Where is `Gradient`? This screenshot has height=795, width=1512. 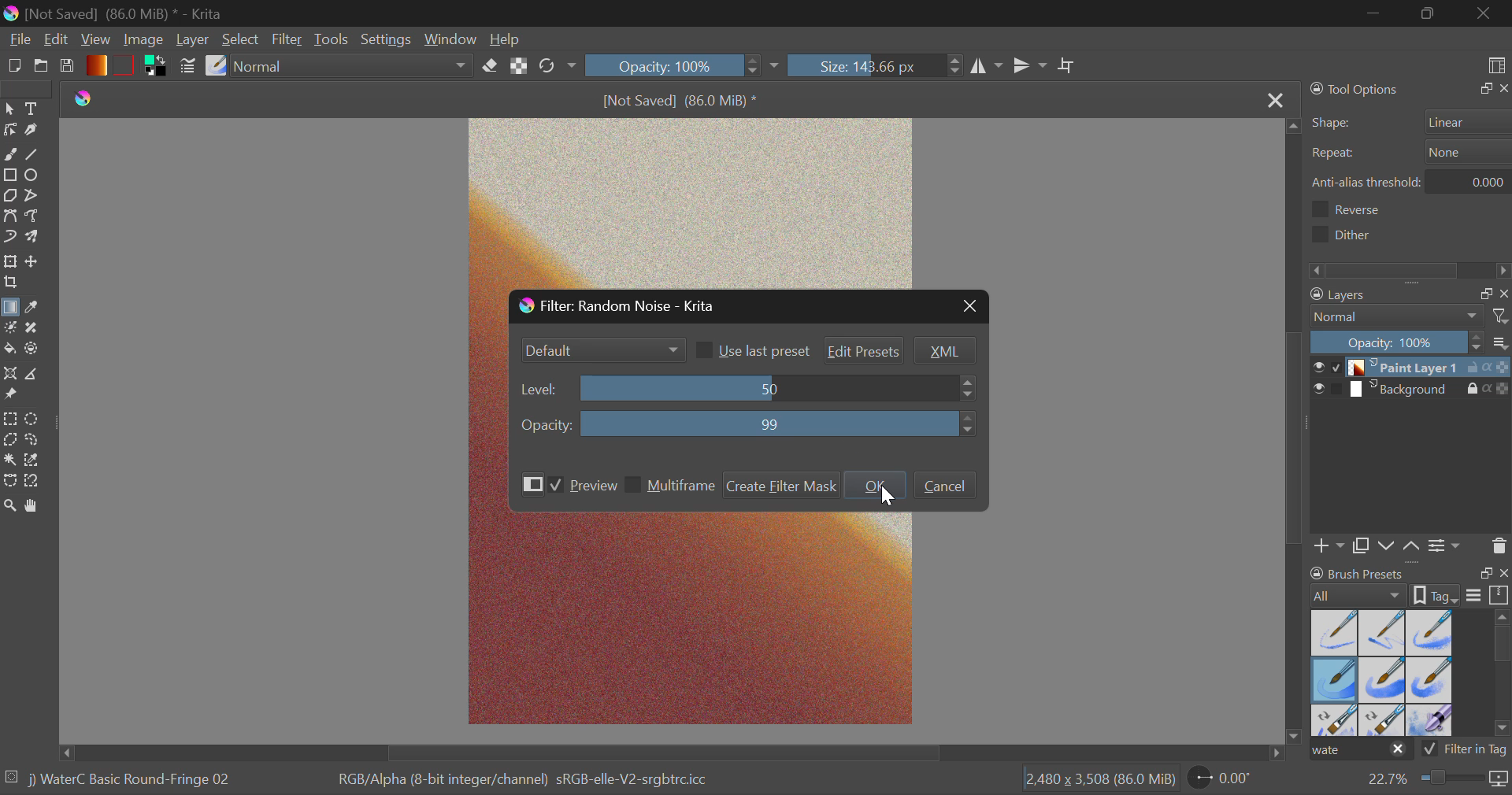
Gradient is located at coordinates (96, 65).